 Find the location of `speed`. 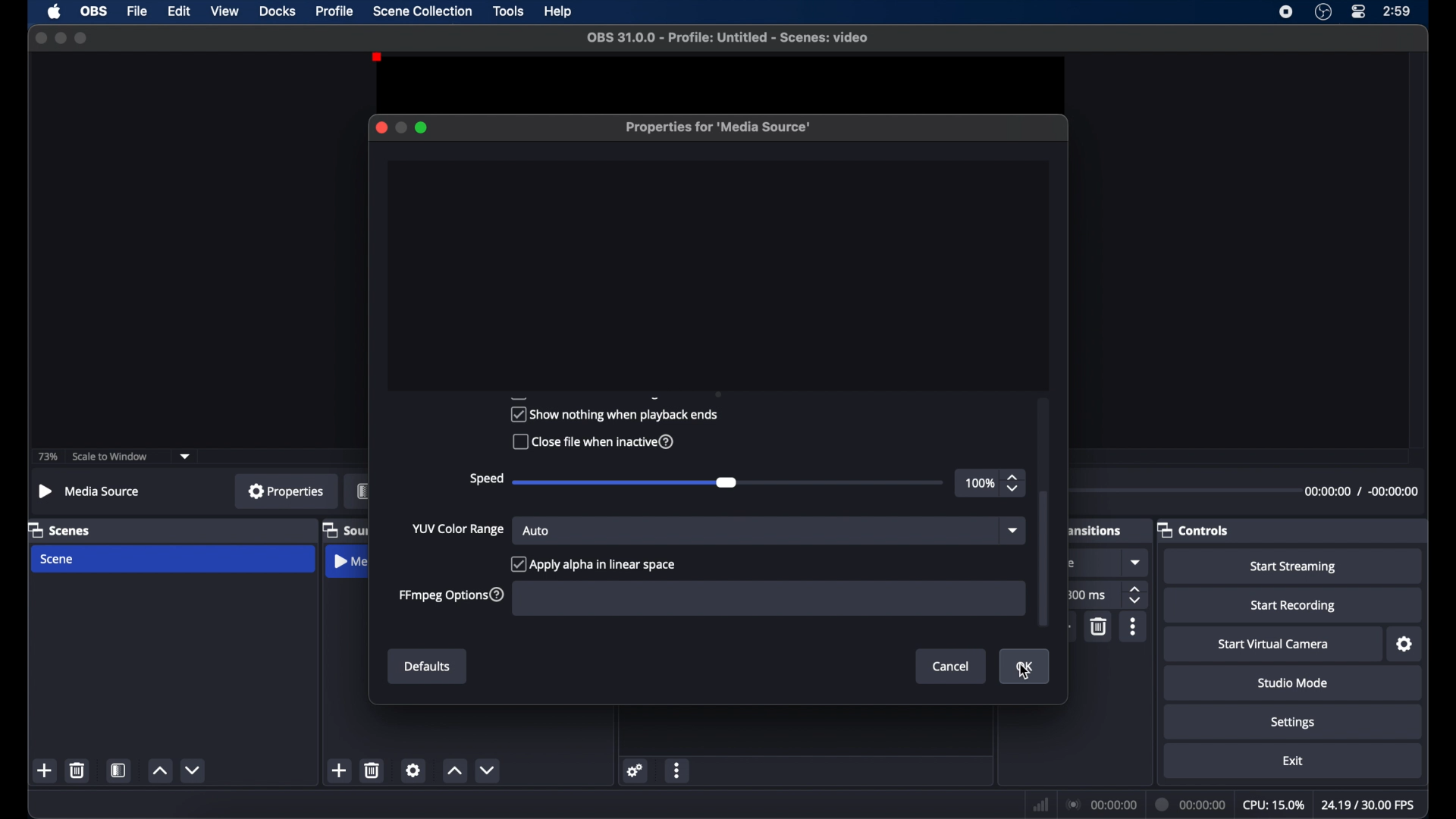

speed is located at coordinates (485, 479).